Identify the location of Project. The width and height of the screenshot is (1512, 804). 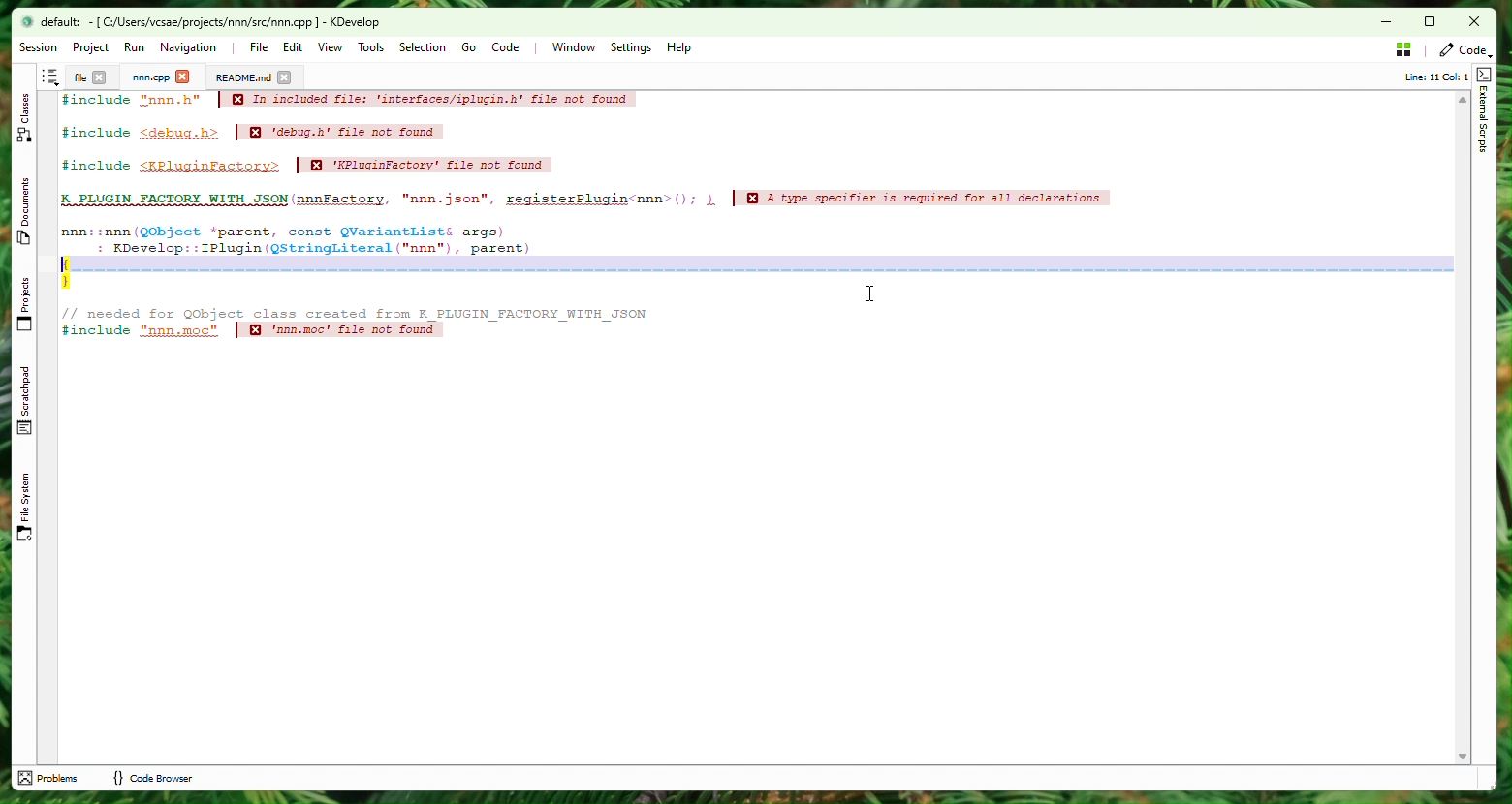
(150, 77).